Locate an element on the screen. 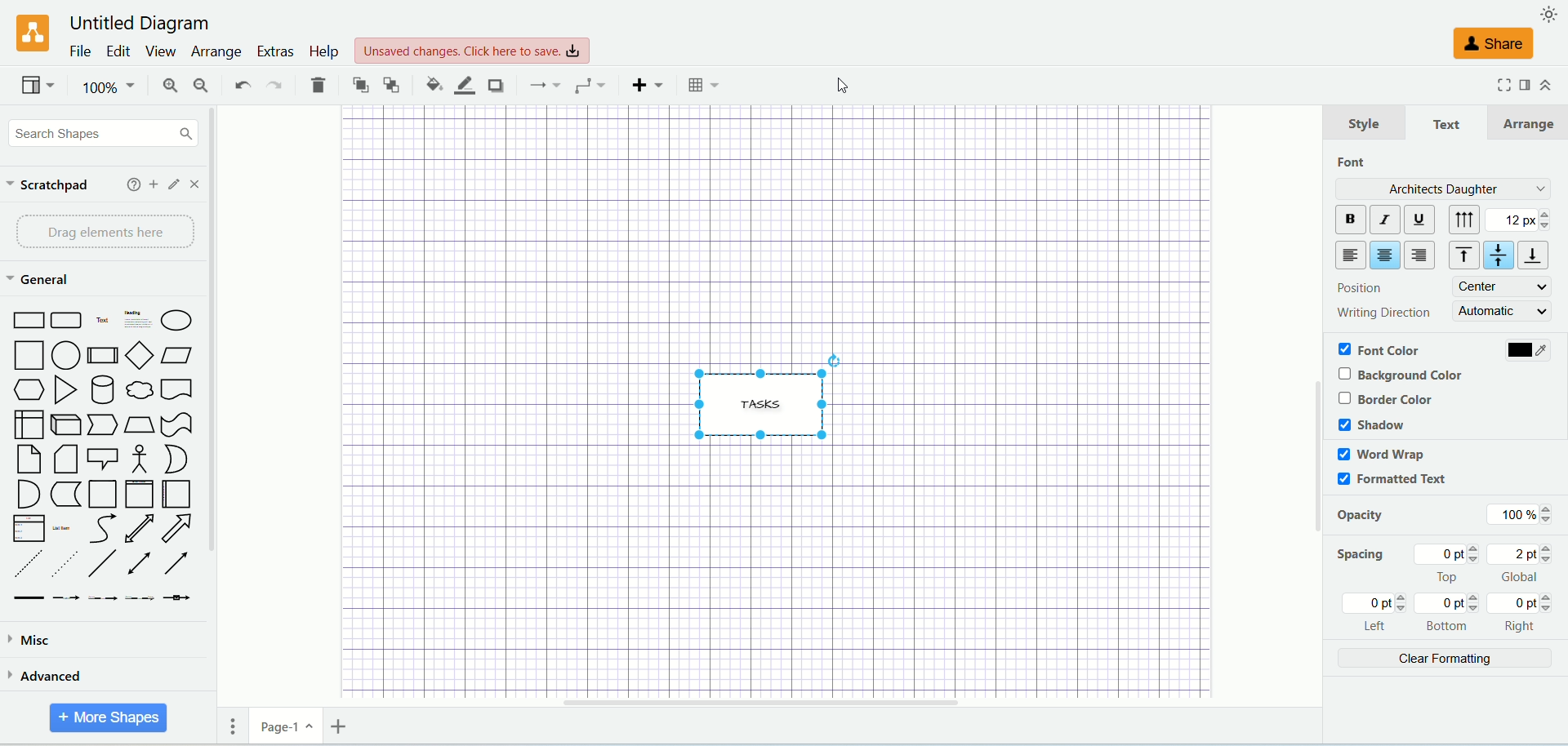  Connector with symbol is located at coordinates (176, 595).